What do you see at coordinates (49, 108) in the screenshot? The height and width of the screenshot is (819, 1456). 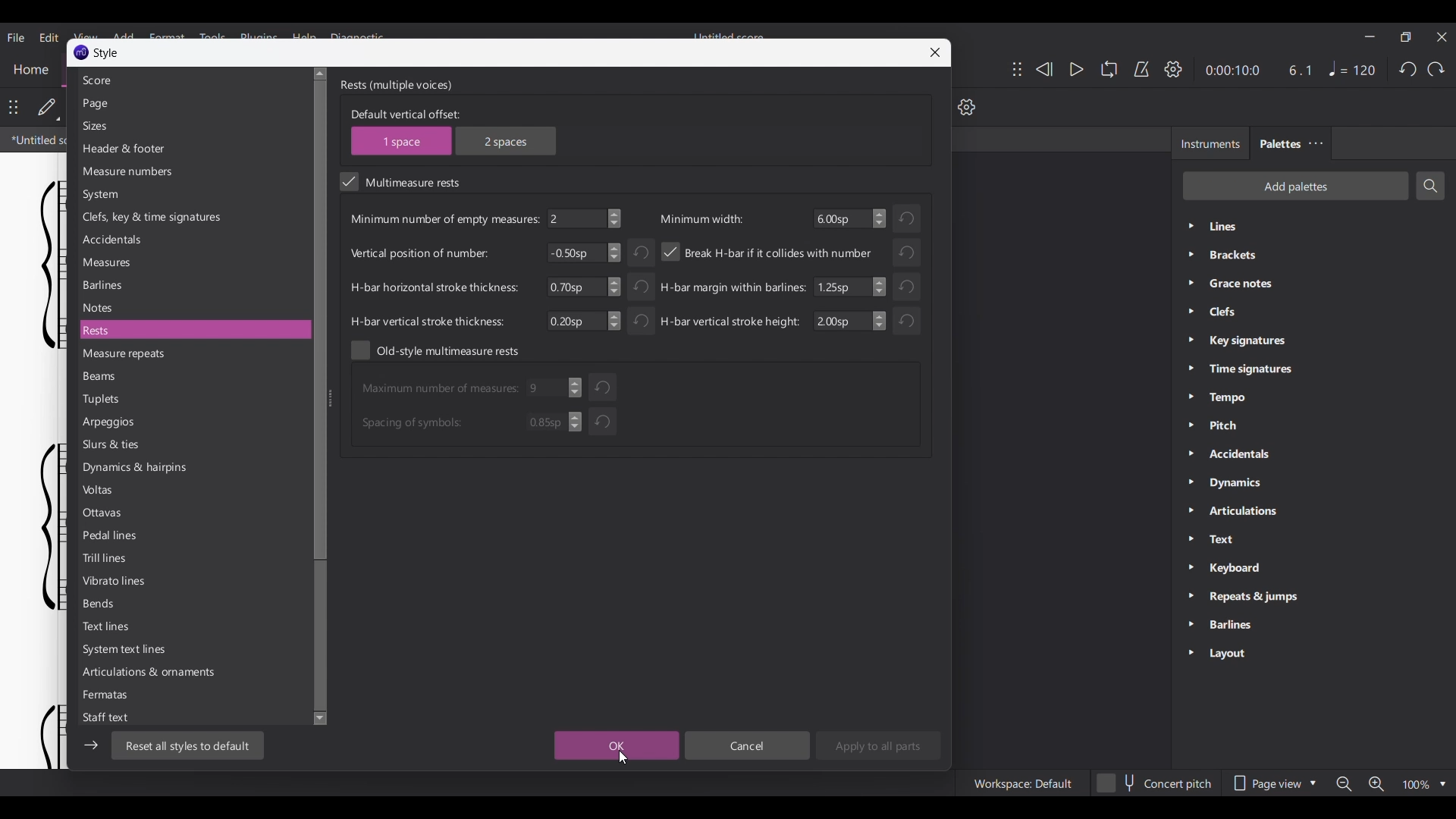 I see `Default` at bounding box center [49, 108].